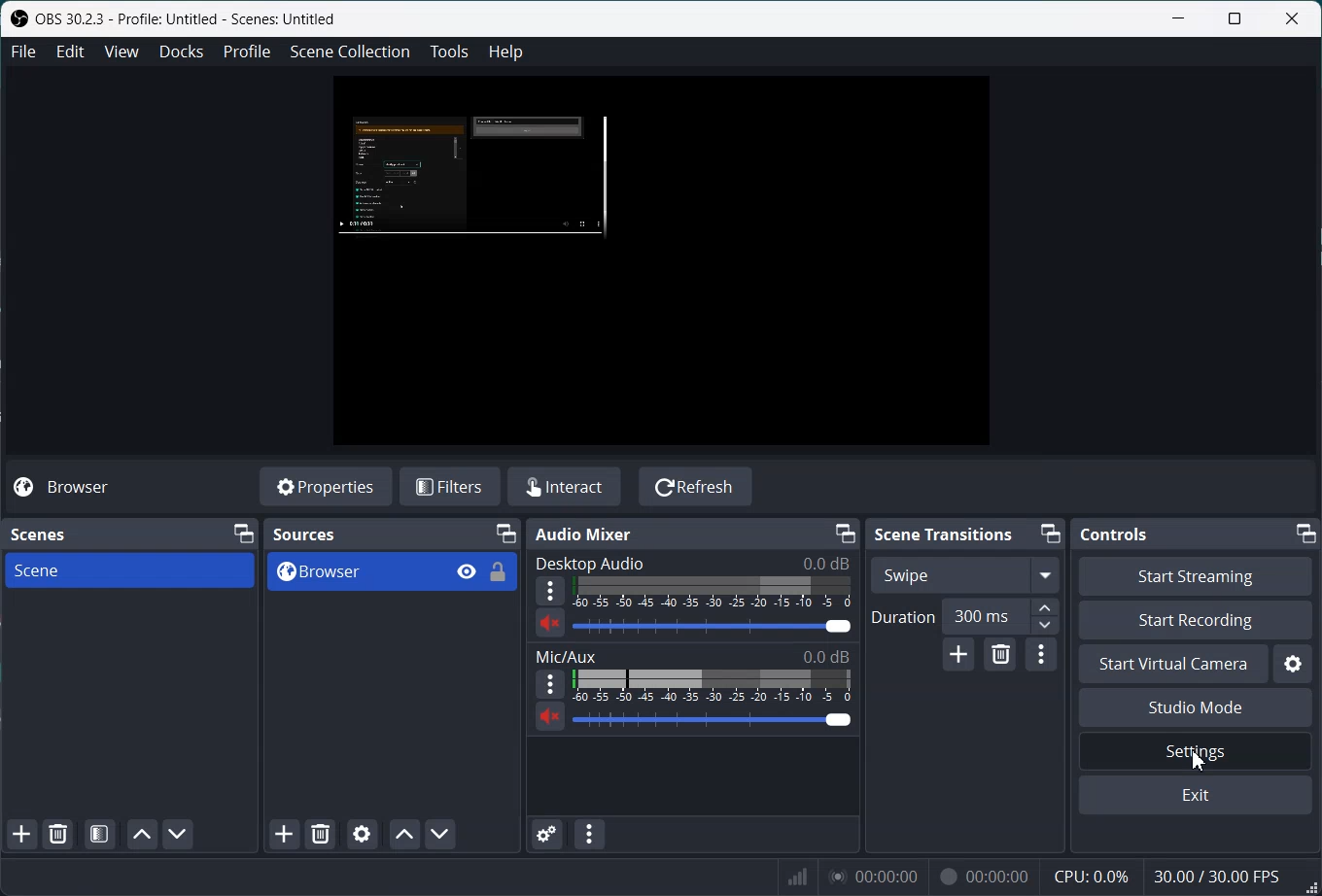 Image resolution: width=1322 pixels, height=896 pixels. I want to click on Interact, so click(568, 488).